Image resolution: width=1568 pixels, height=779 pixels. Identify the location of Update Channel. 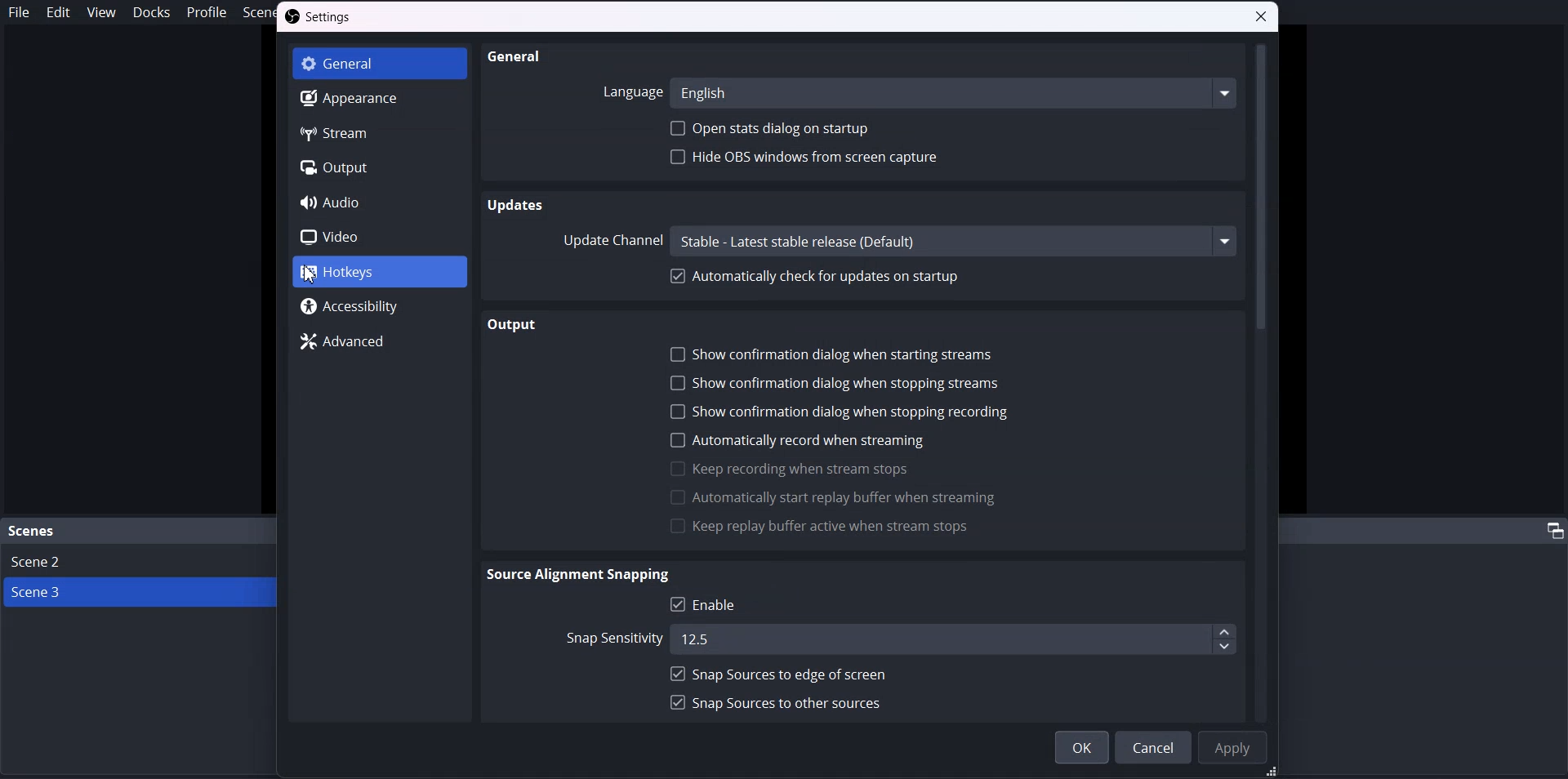
(902, 241).